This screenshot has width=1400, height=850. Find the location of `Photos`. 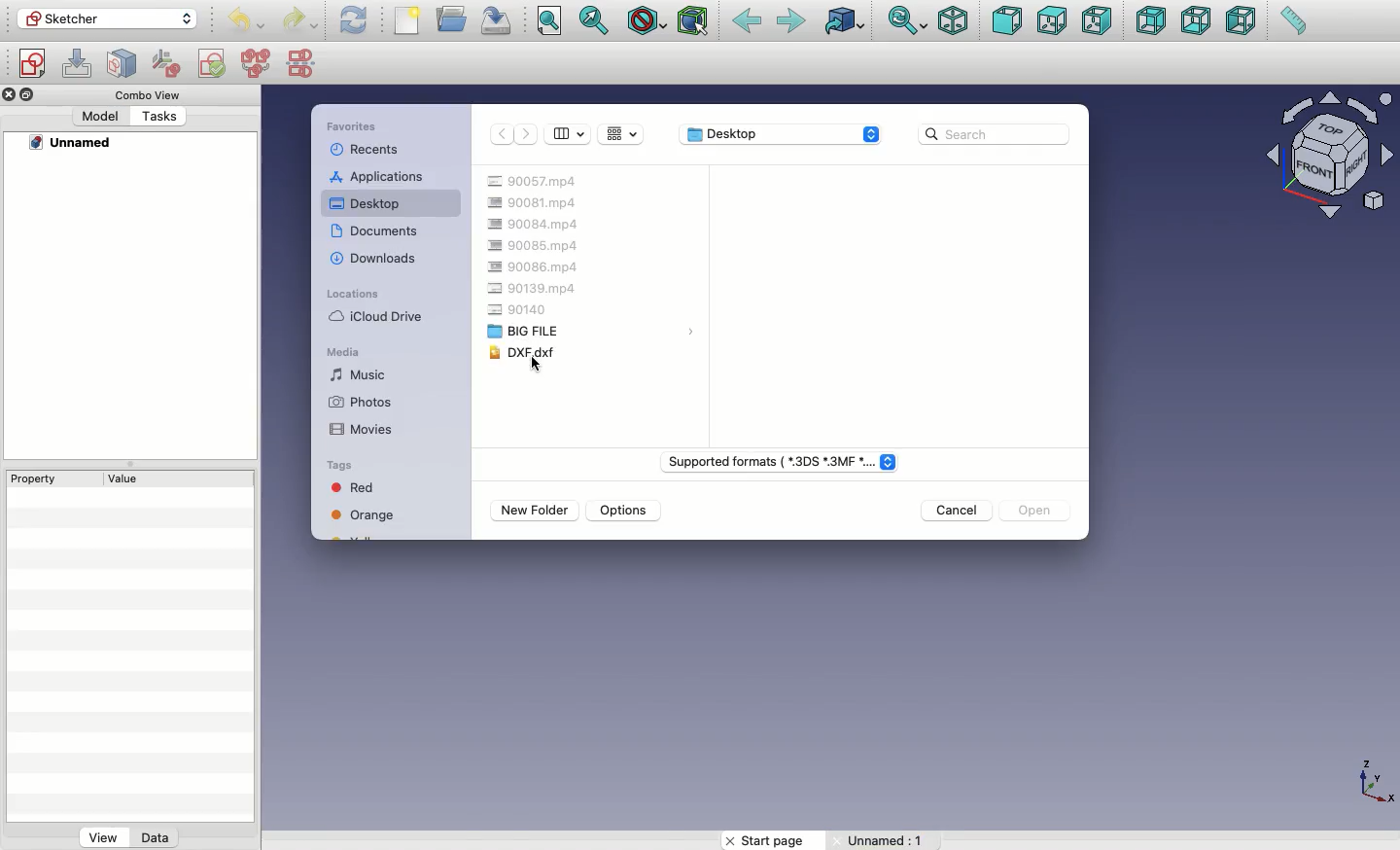

Photos is located at coordinates (361, 401).